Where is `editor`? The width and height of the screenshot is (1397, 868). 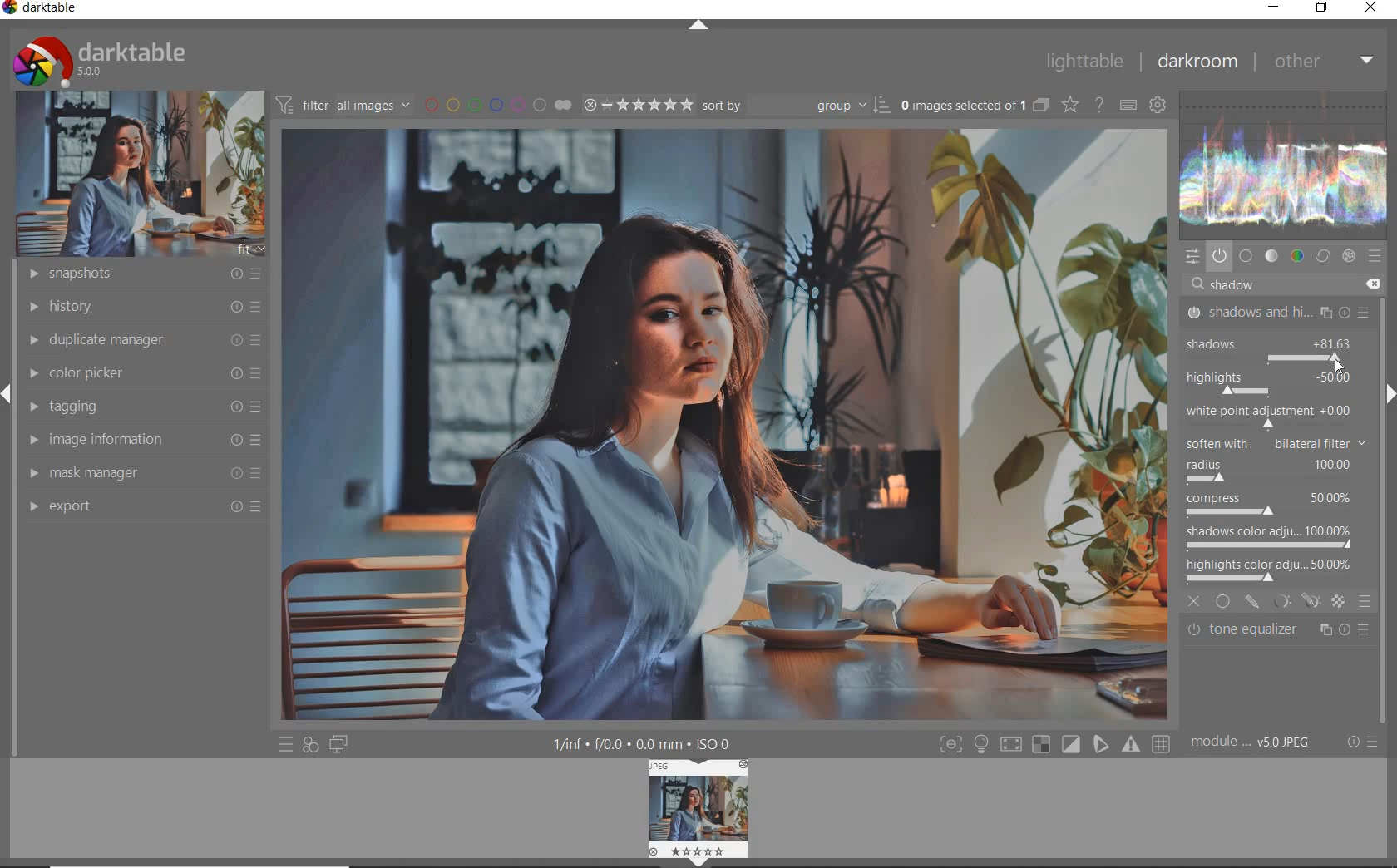 editor is located at coordinates (1211, 284).